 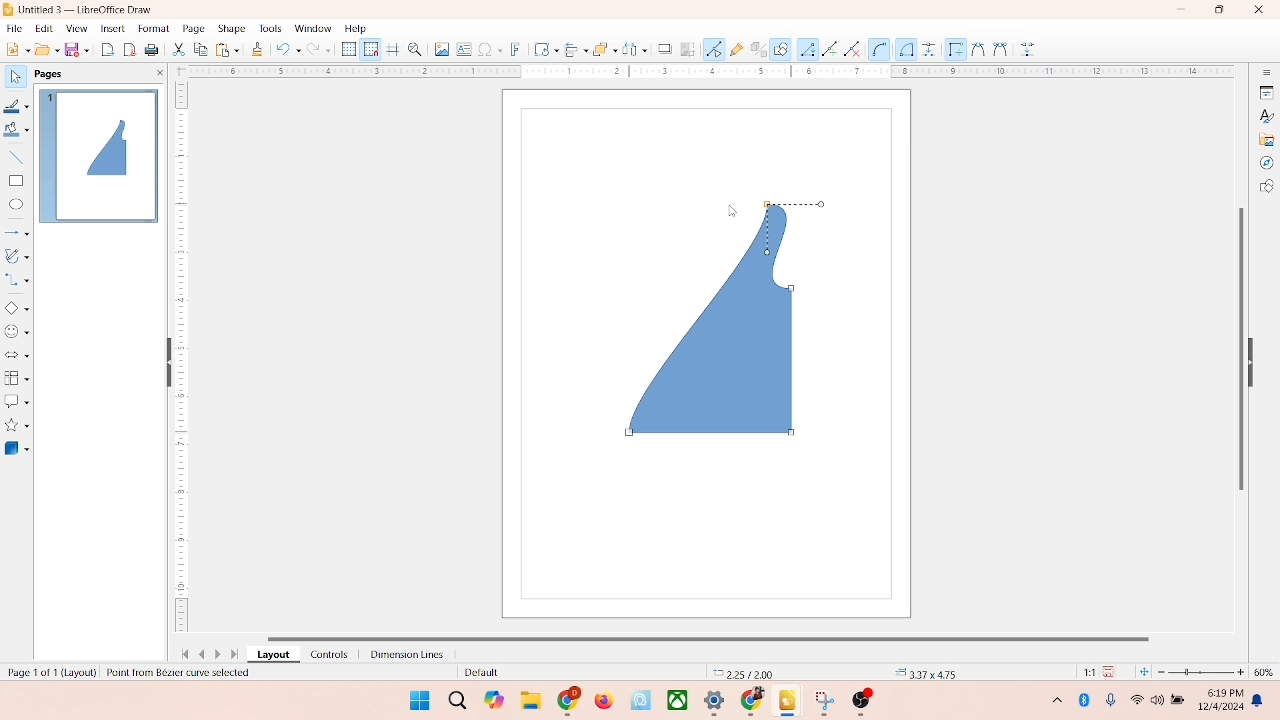 I want to click on star and banners, so click(x=19, y=425).